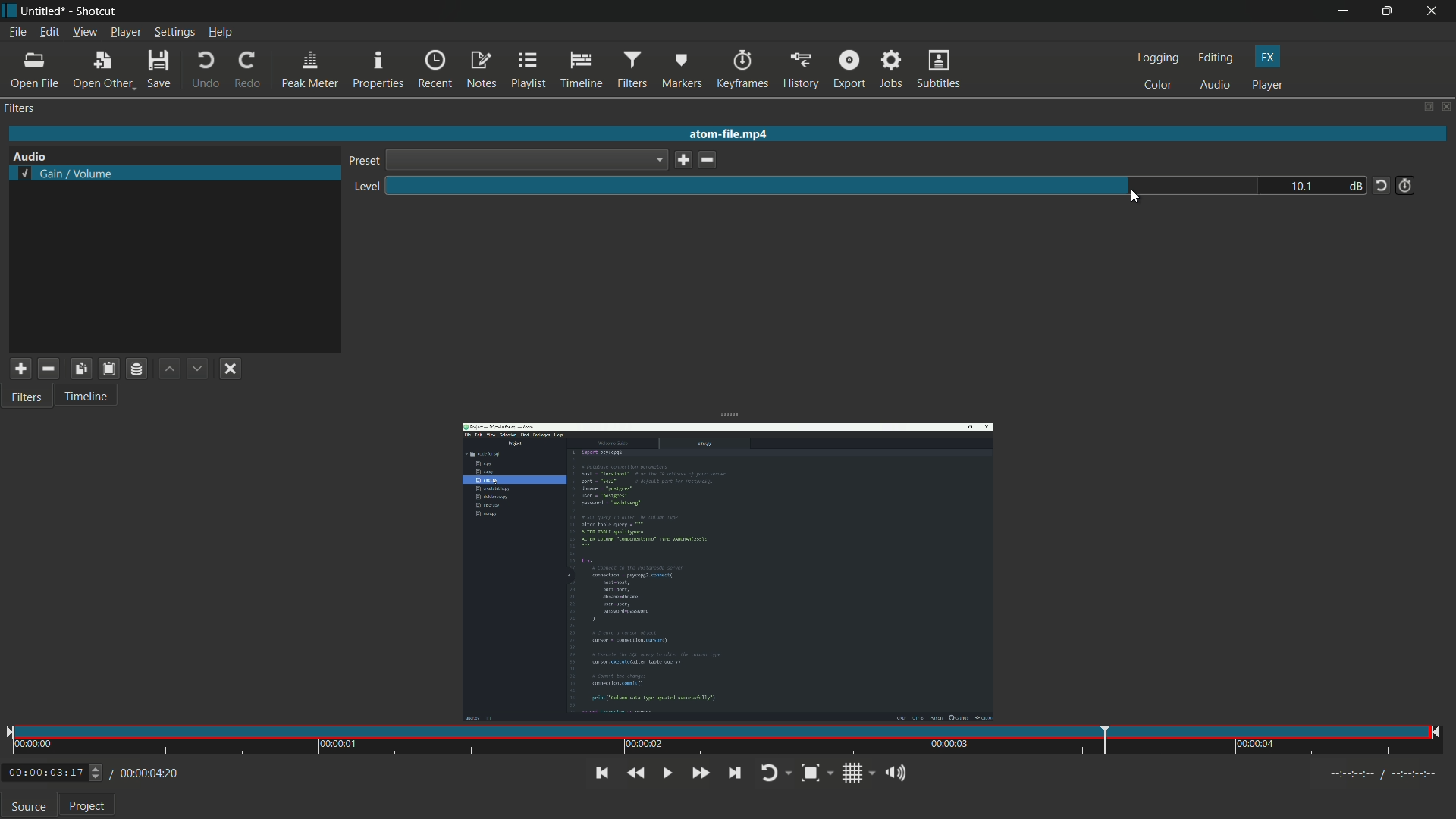 This screenshot has width=1456, height=819. I want to click on maximize, so click(1387, 11).